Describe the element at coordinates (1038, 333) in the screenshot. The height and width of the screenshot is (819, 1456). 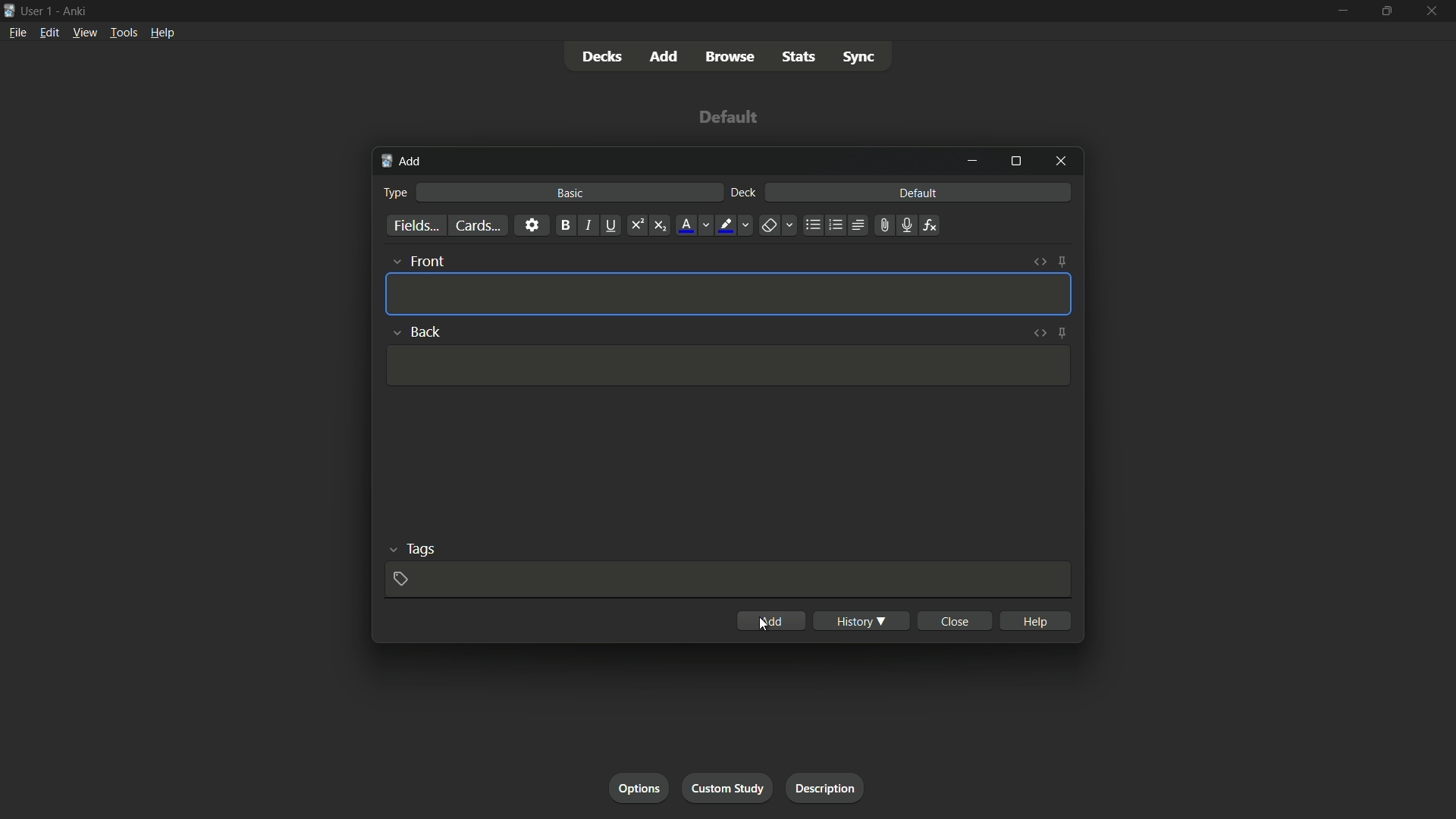
I see `toggle html editor` at that location.